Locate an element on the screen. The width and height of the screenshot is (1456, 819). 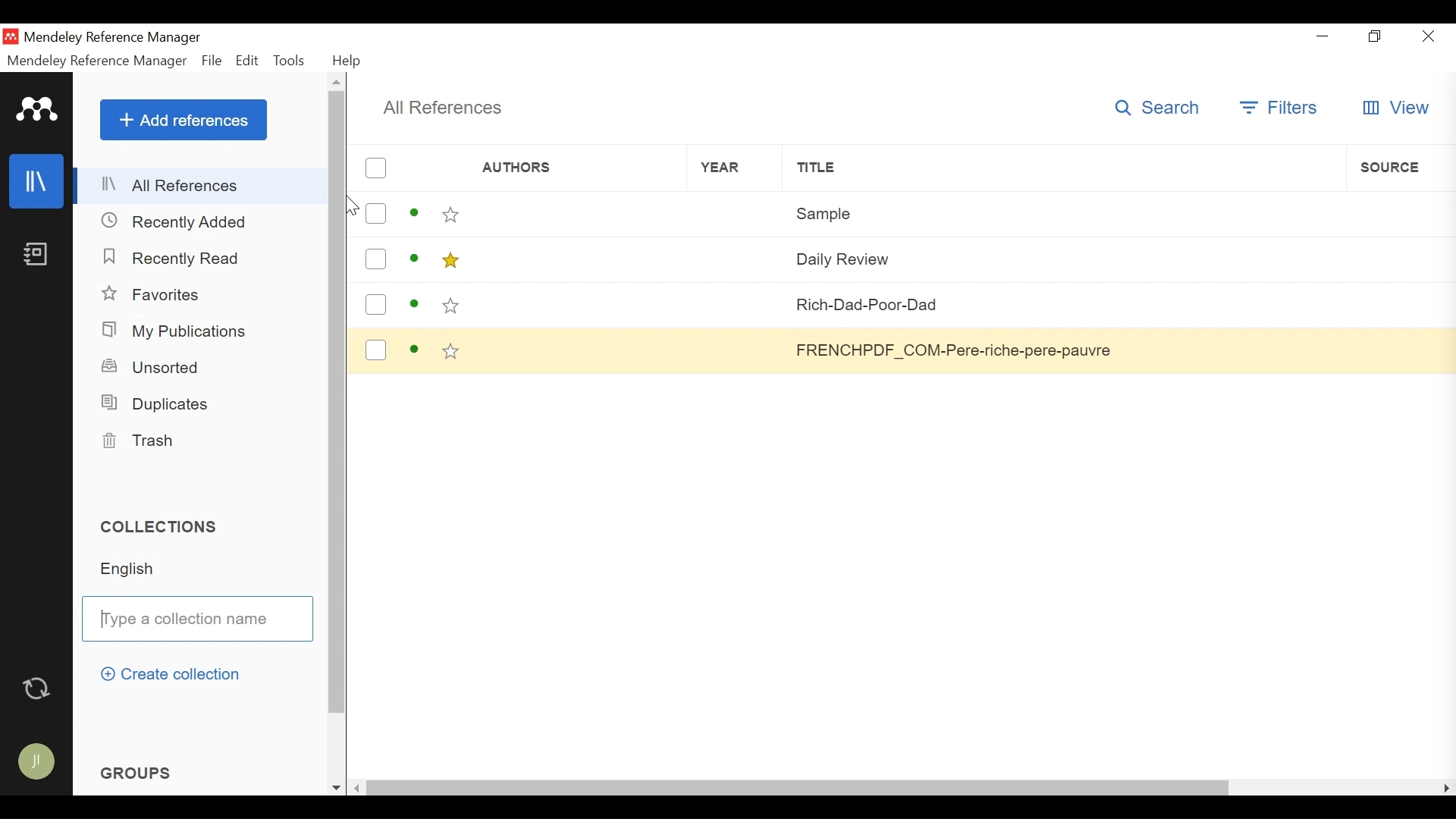
Filters is located at coordinates (1281, 108).